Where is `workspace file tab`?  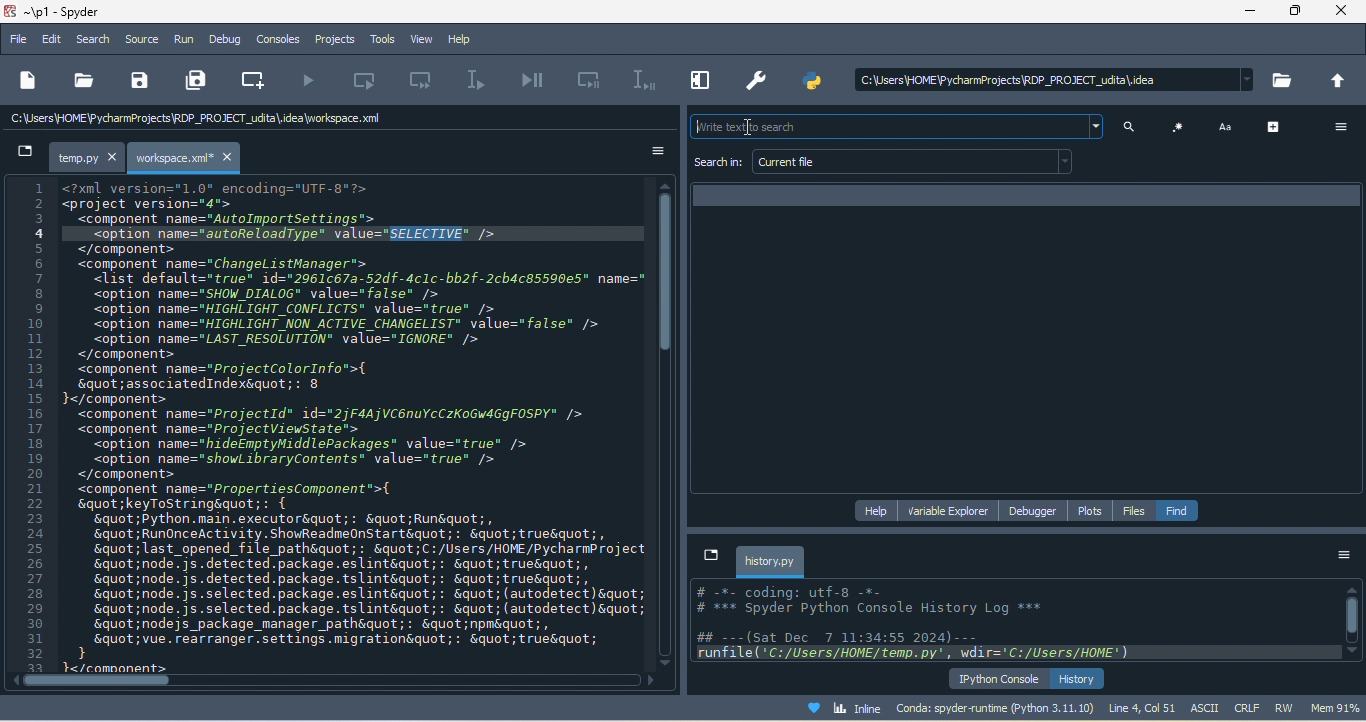
workspace file tab is located at coordinates (187, 158).